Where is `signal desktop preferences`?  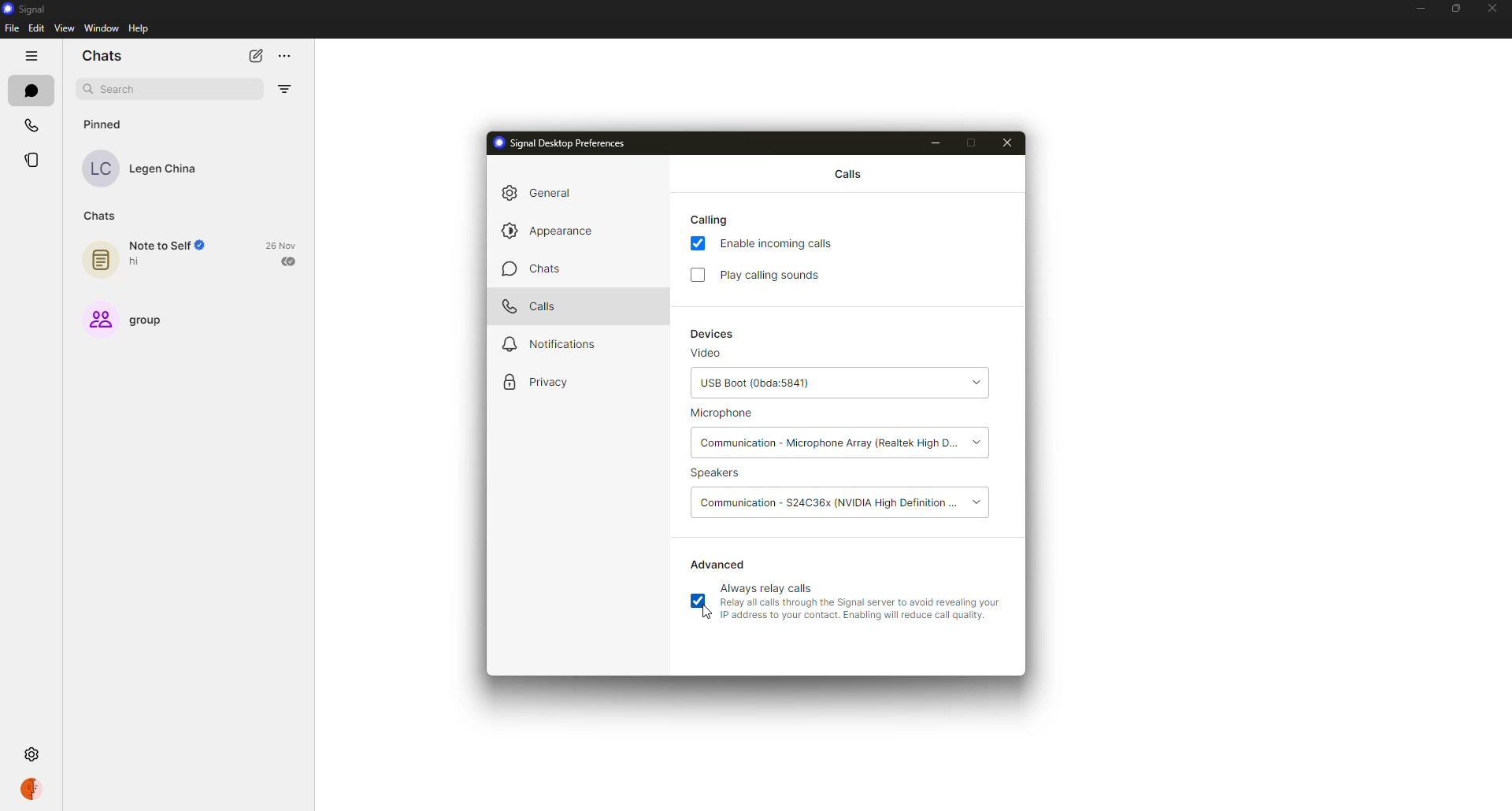 signal desktop preferences is located at coordinates (558, 142).